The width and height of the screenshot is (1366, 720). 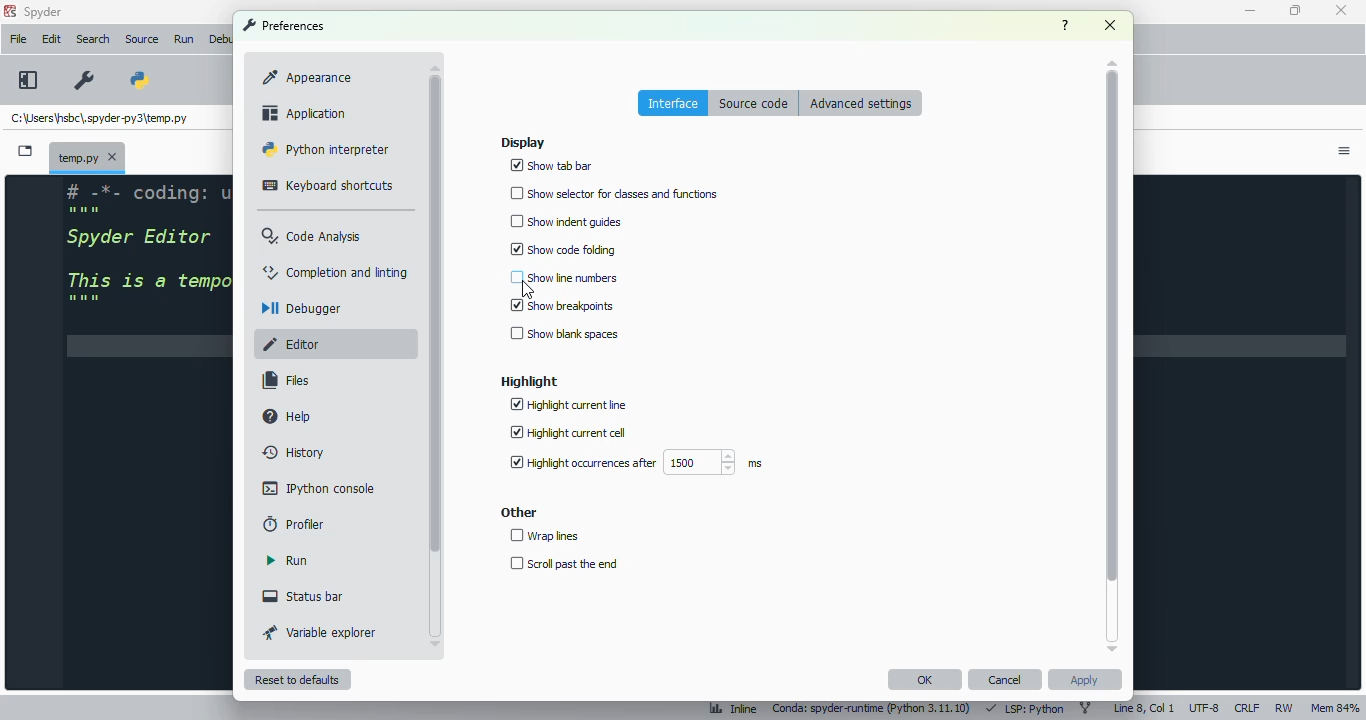 What do you see at coordinates (860, 103) in the screenshot?
I see `advanced settings` at bounding box center [860, 103].